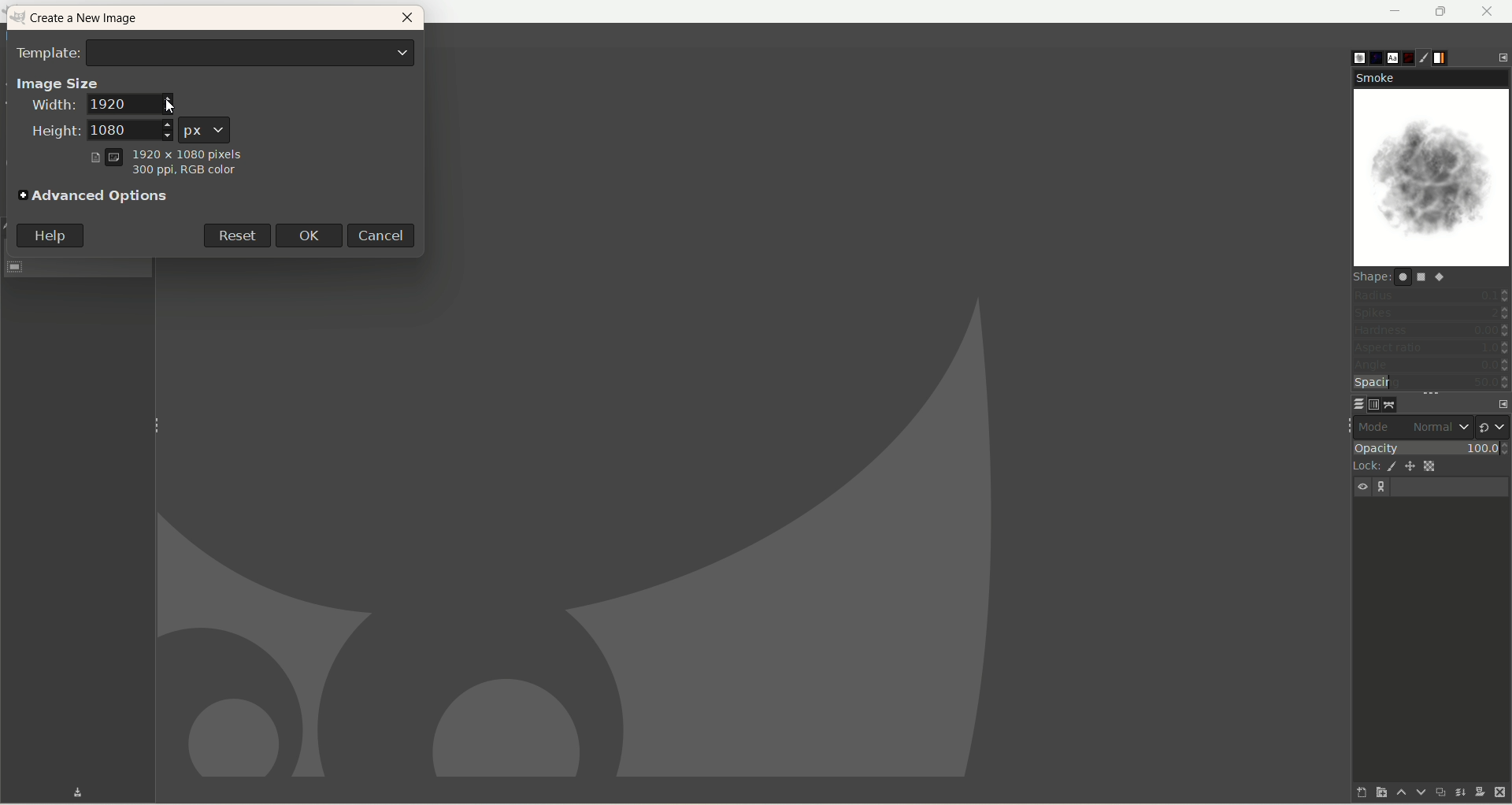  What do you see at coordinates (1432, 295) in the screenshot?
I see `radius` at bounding box center [1432, 295].